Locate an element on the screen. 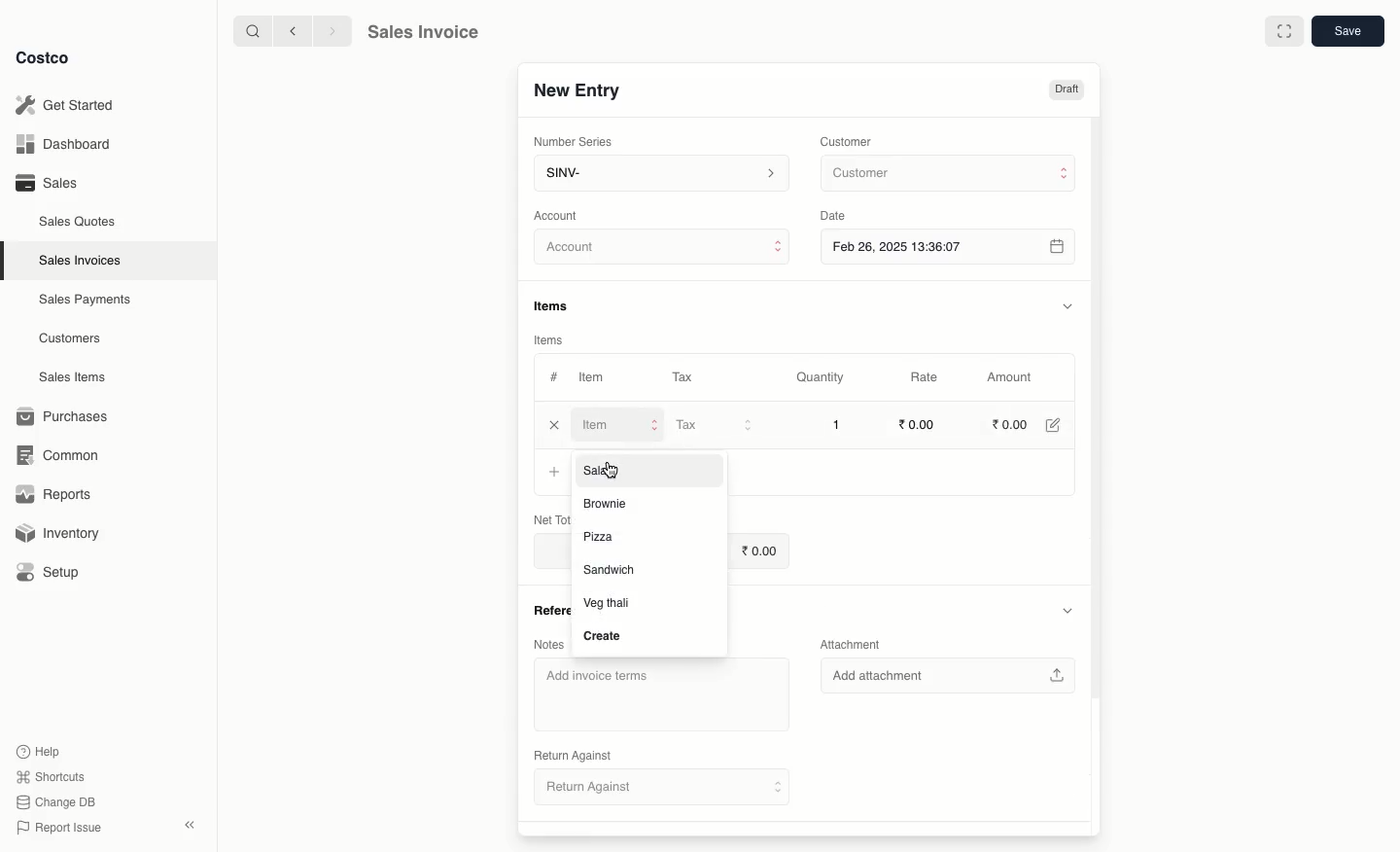 This screenshot has width=1400, height=852. Items is located at coordinates (549, 339).